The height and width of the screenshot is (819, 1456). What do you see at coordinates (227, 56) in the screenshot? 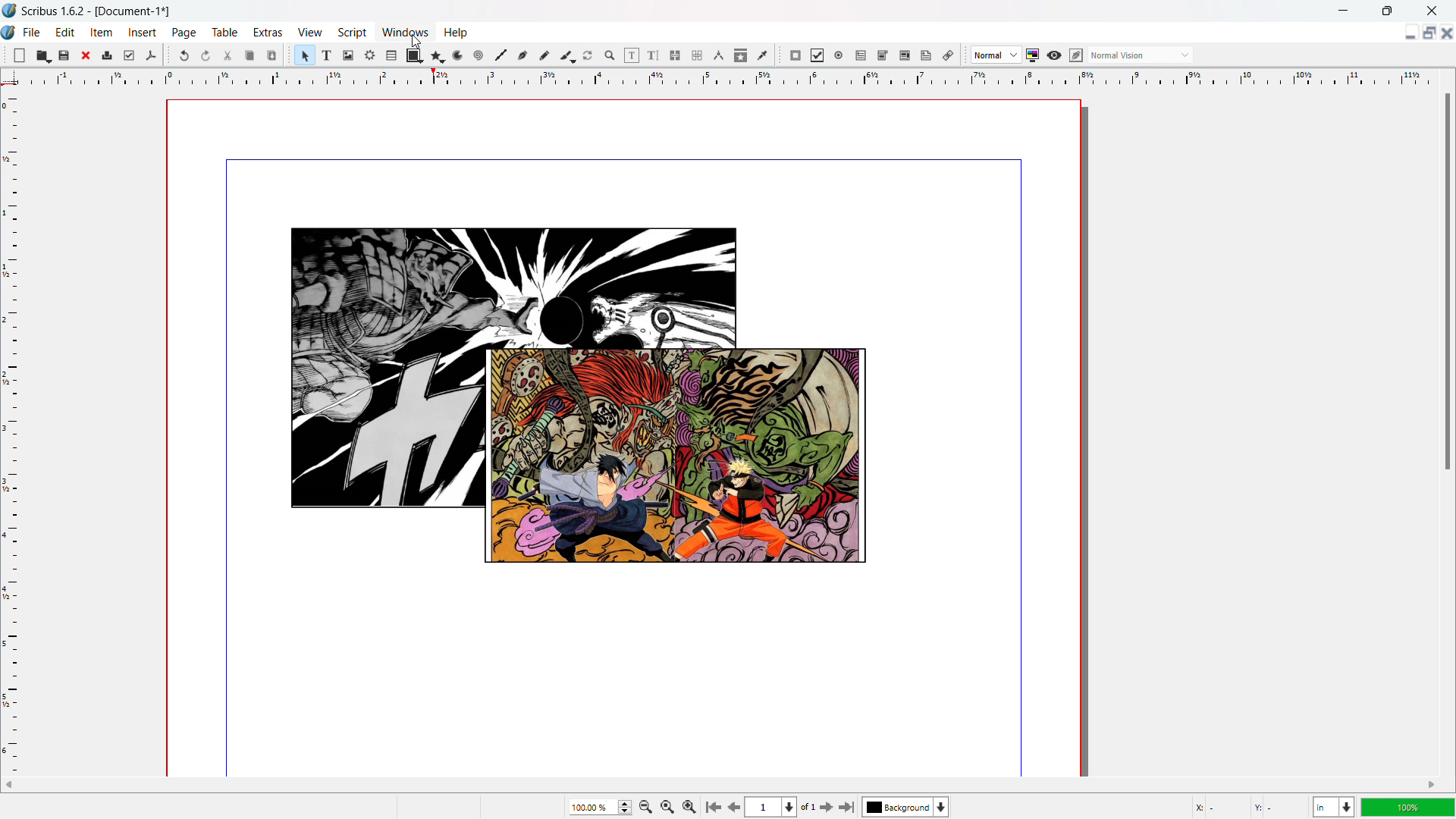
I see `cut` at bounding box center [227, 56].